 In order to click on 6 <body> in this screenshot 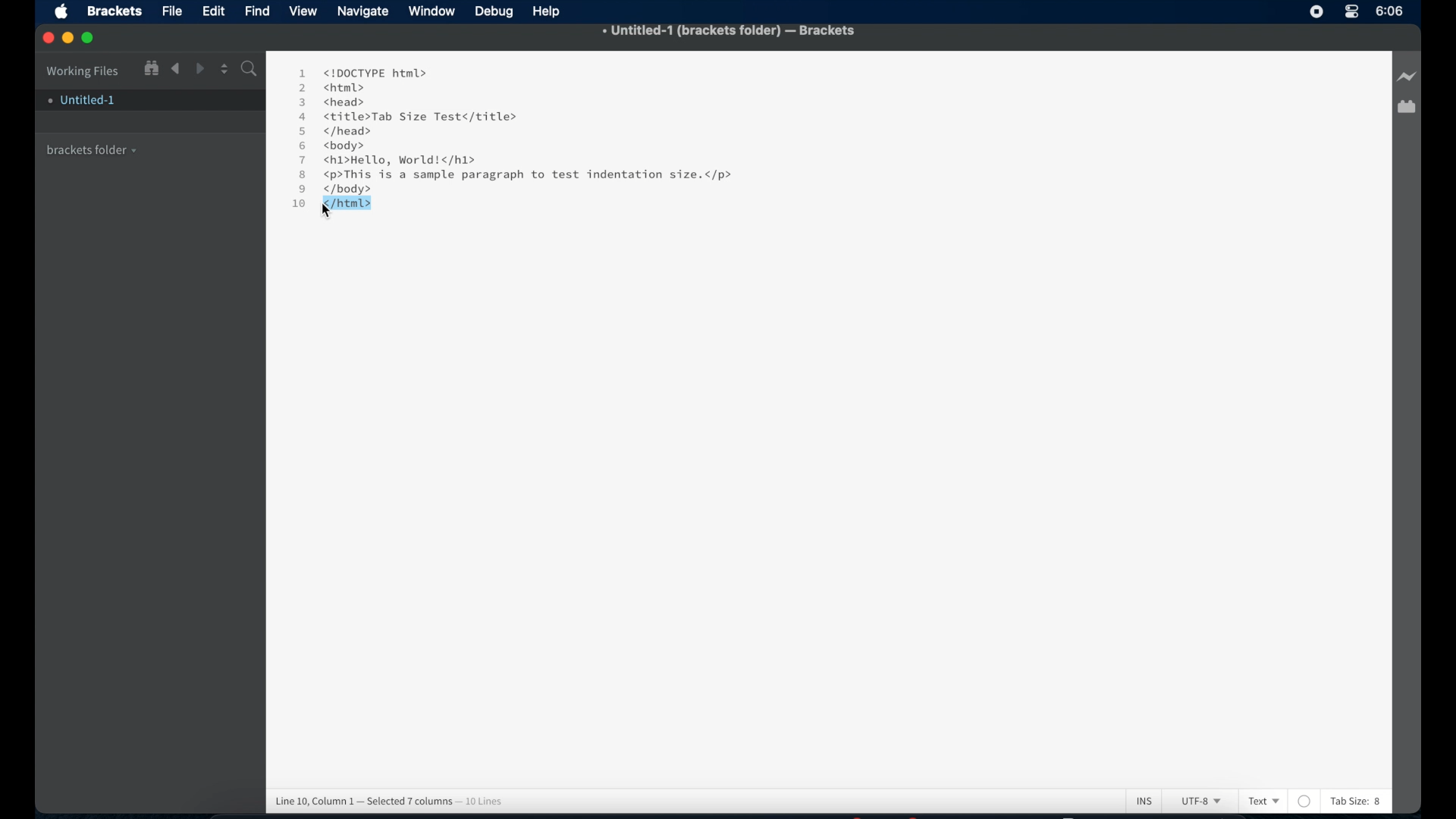, I will do `click(337, 146)`.